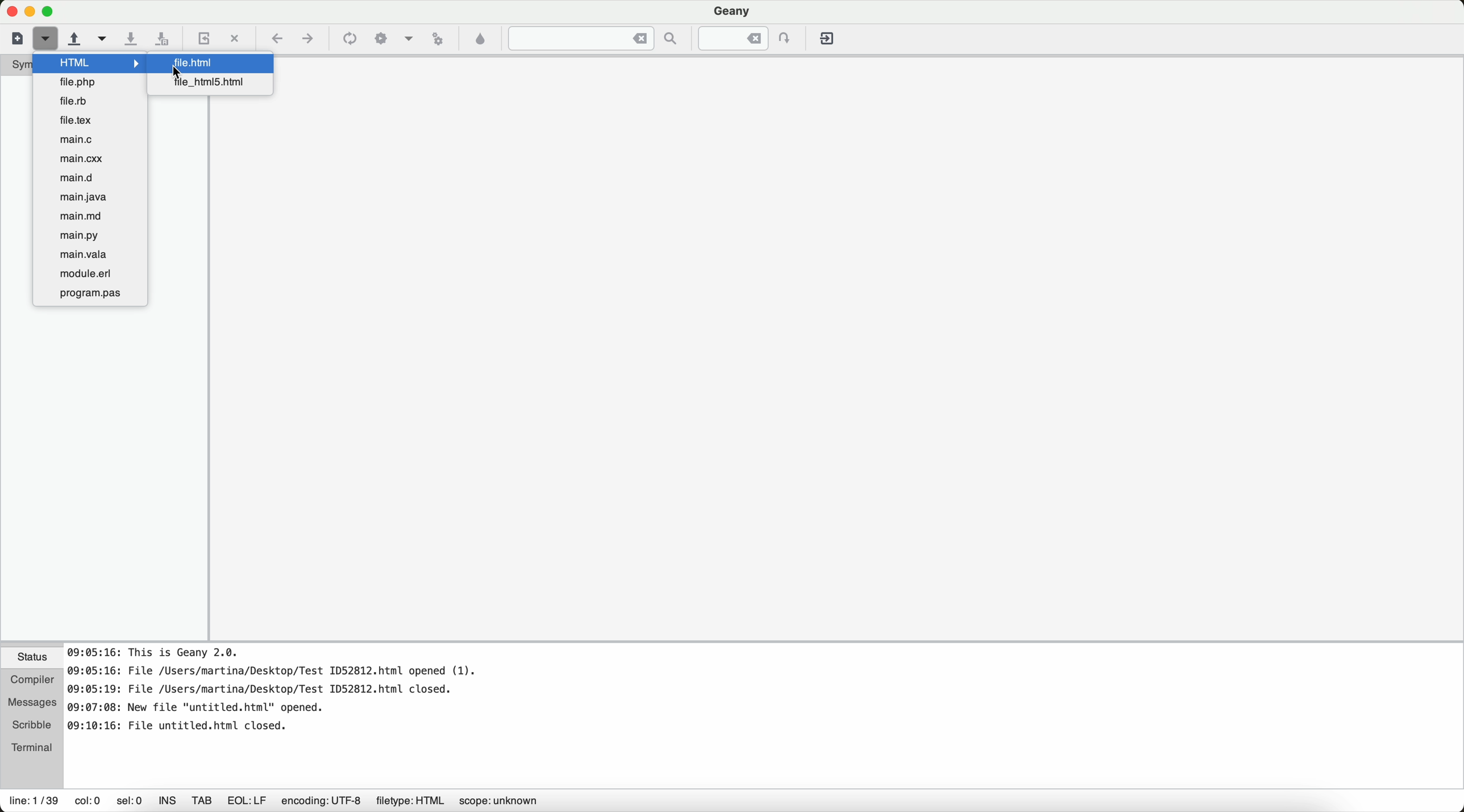 The width and height of the screenshot is (1464, 812). I want to click on run or view the current file, so click(439, 39).